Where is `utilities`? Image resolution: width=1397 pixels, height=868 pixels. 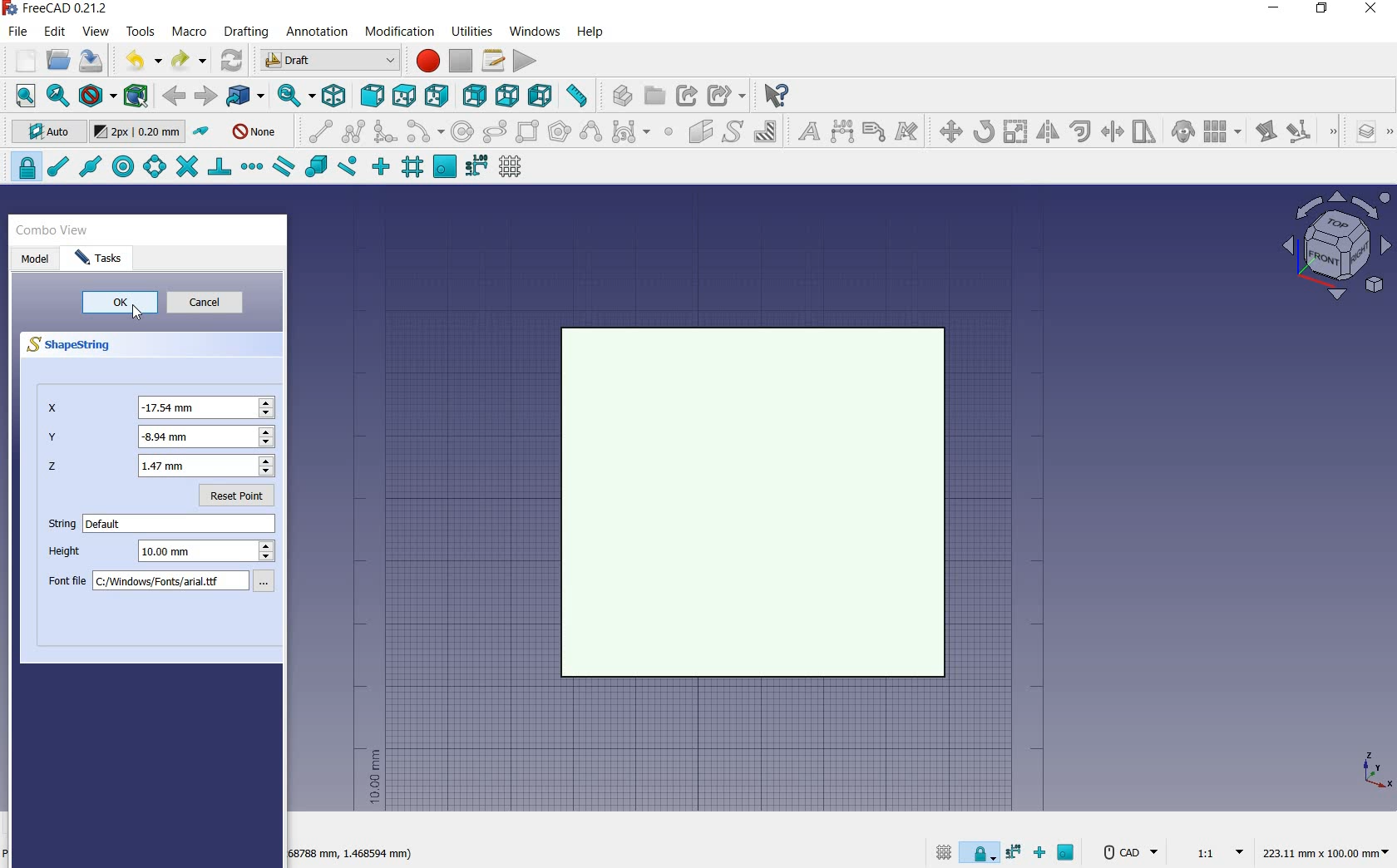
utilities is located at coordinates (473, 30).